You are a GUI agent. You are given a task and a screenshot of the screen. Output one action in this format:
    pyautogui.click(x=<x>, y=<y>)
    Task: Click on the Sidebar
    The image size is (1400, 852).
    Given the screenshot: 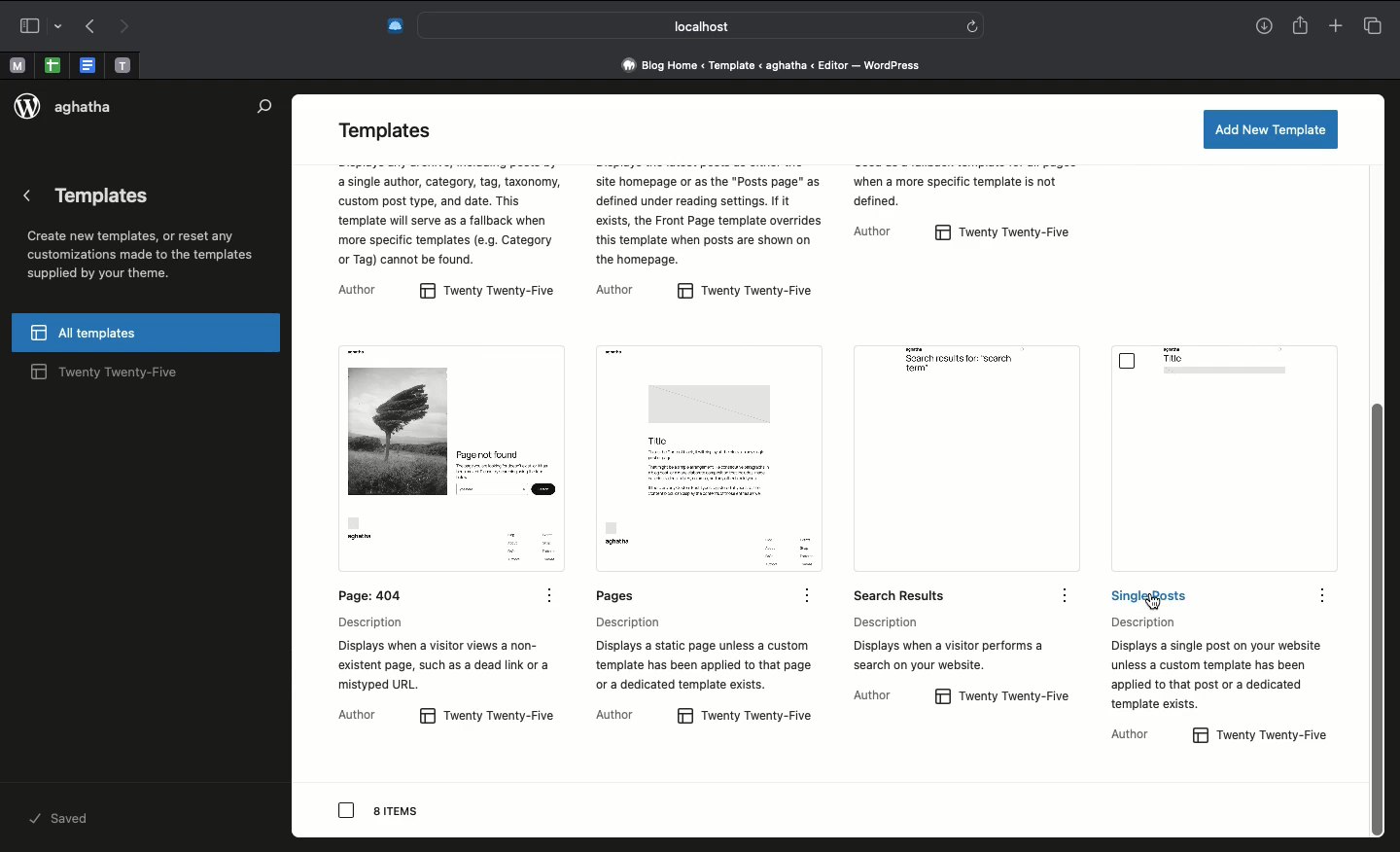 What is the action you would take?
    pyautogui.click(x=36, y=26)
    